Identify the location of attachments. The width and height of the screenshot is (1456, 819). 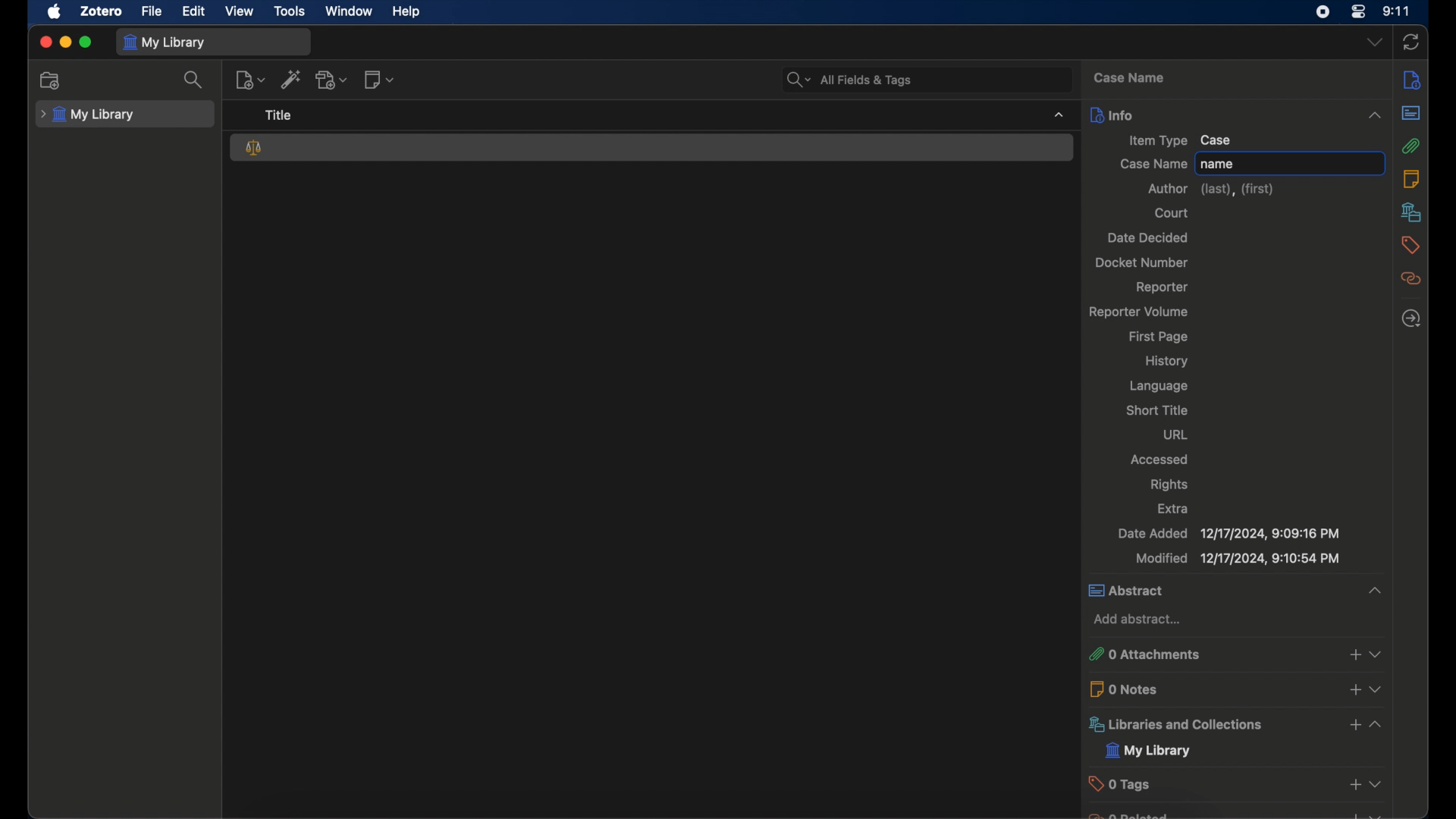
(1237, 654).